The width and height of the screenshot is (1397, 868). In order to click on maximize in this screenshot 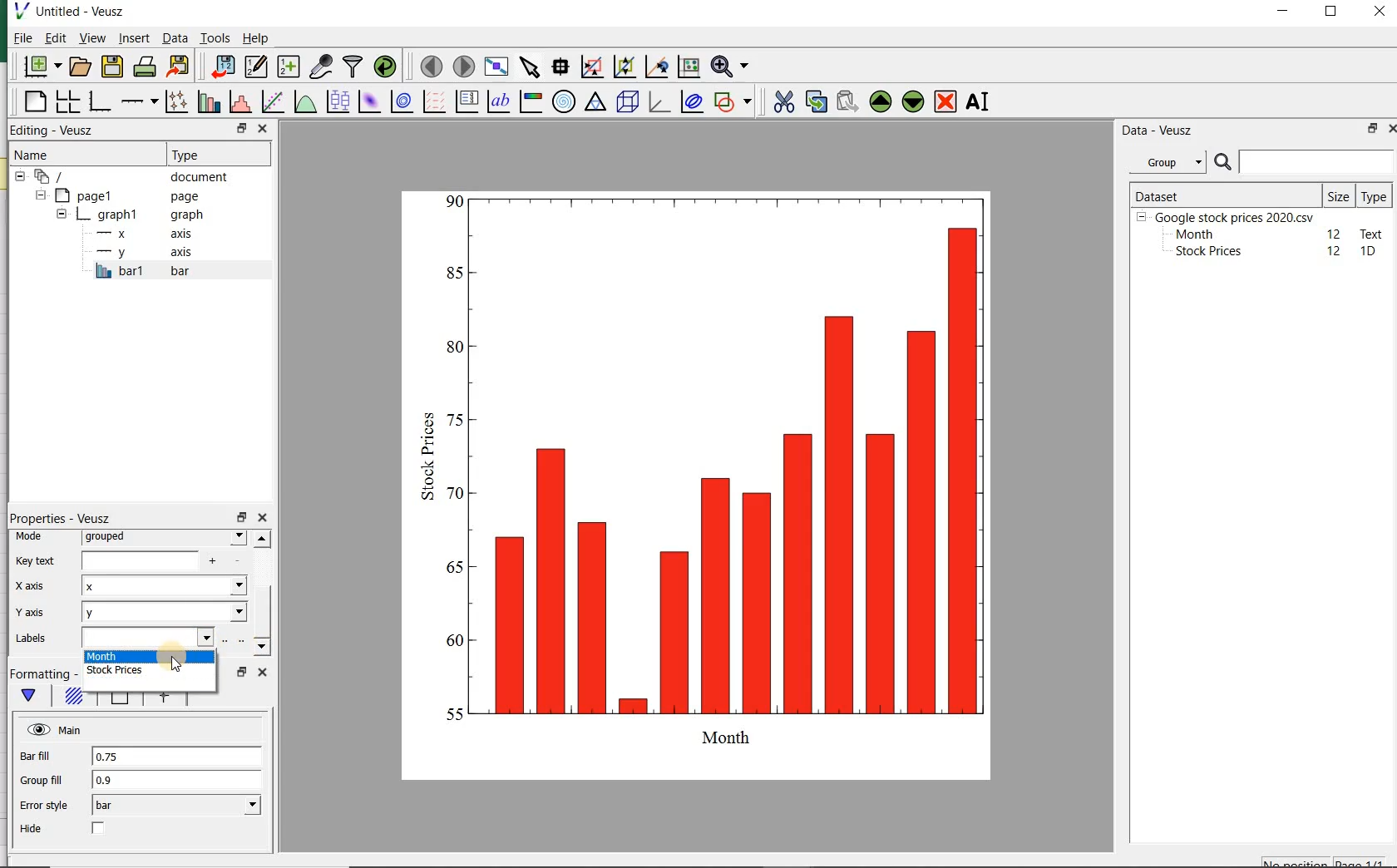, I will do `click(1334, 13)`.